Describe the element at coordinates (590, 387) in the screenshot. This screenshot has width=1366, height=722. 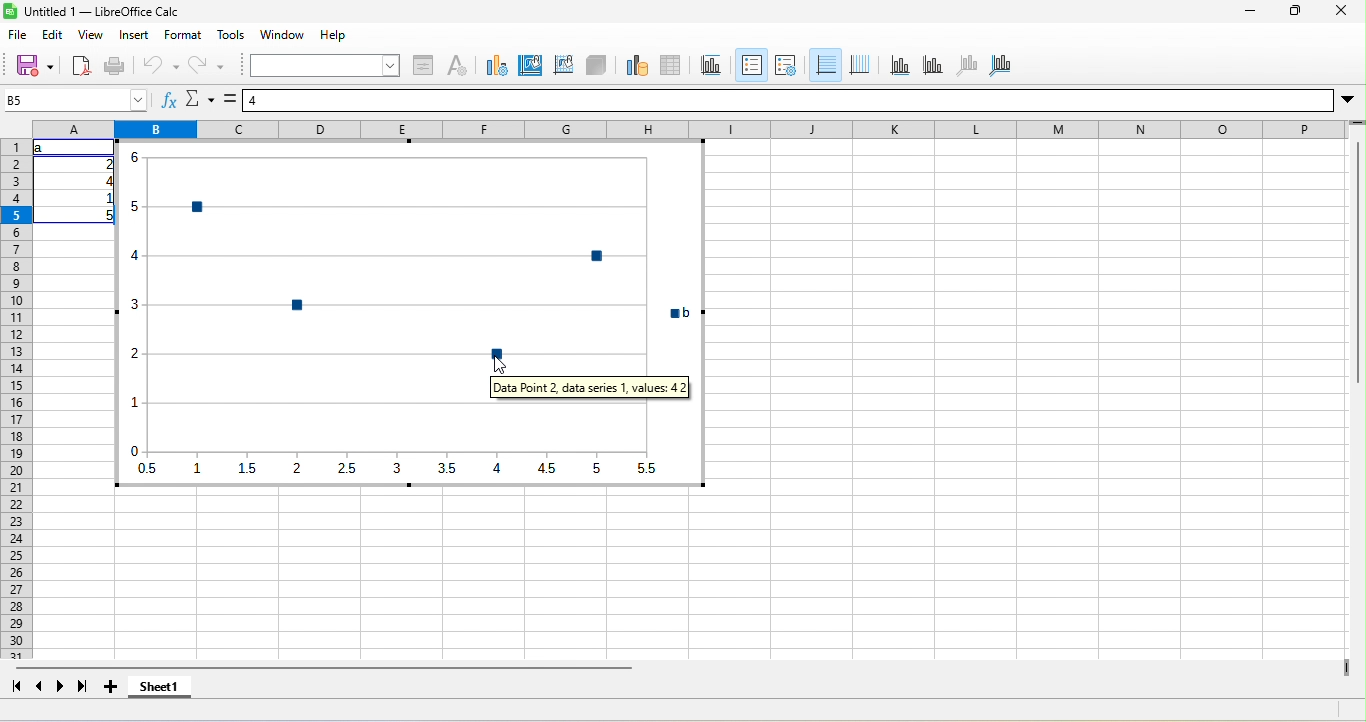
I see `data point 2, data series 1, values: 4 2` at that location.